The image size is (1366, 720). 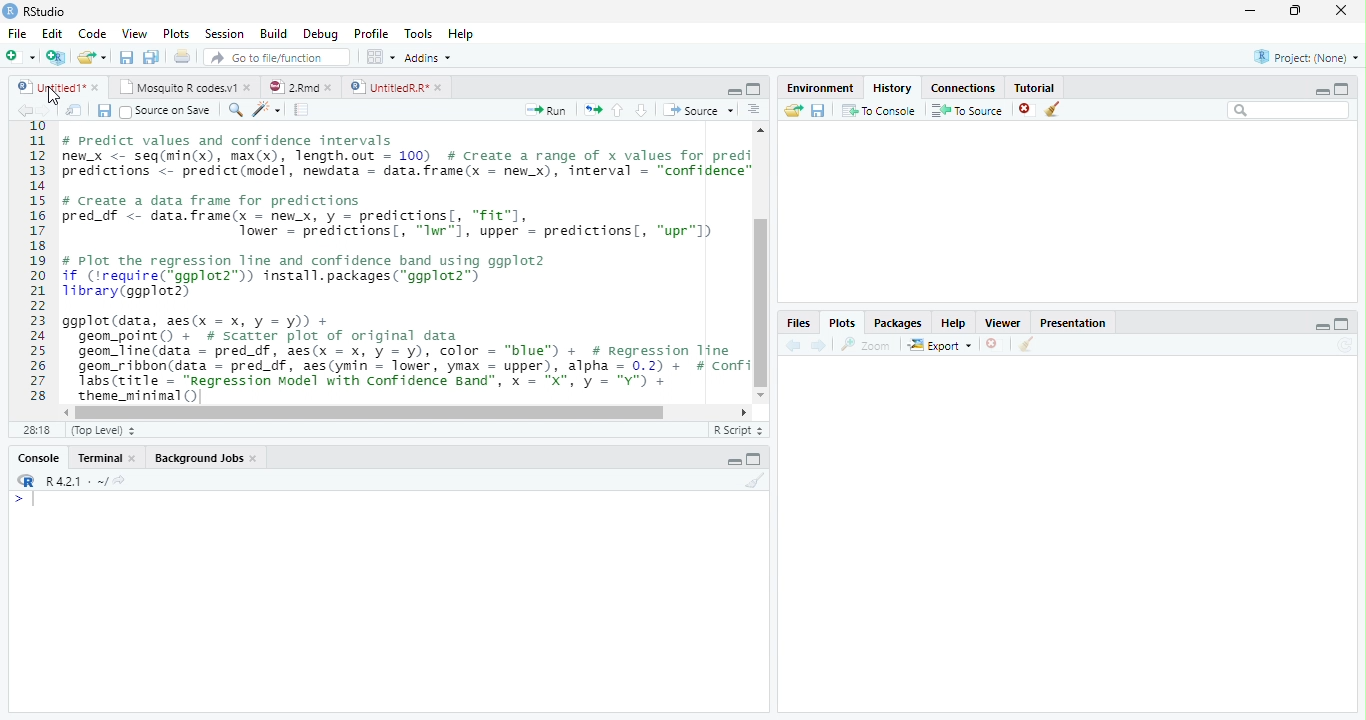 I want to click on Terminal, so click(x=108, y=455).